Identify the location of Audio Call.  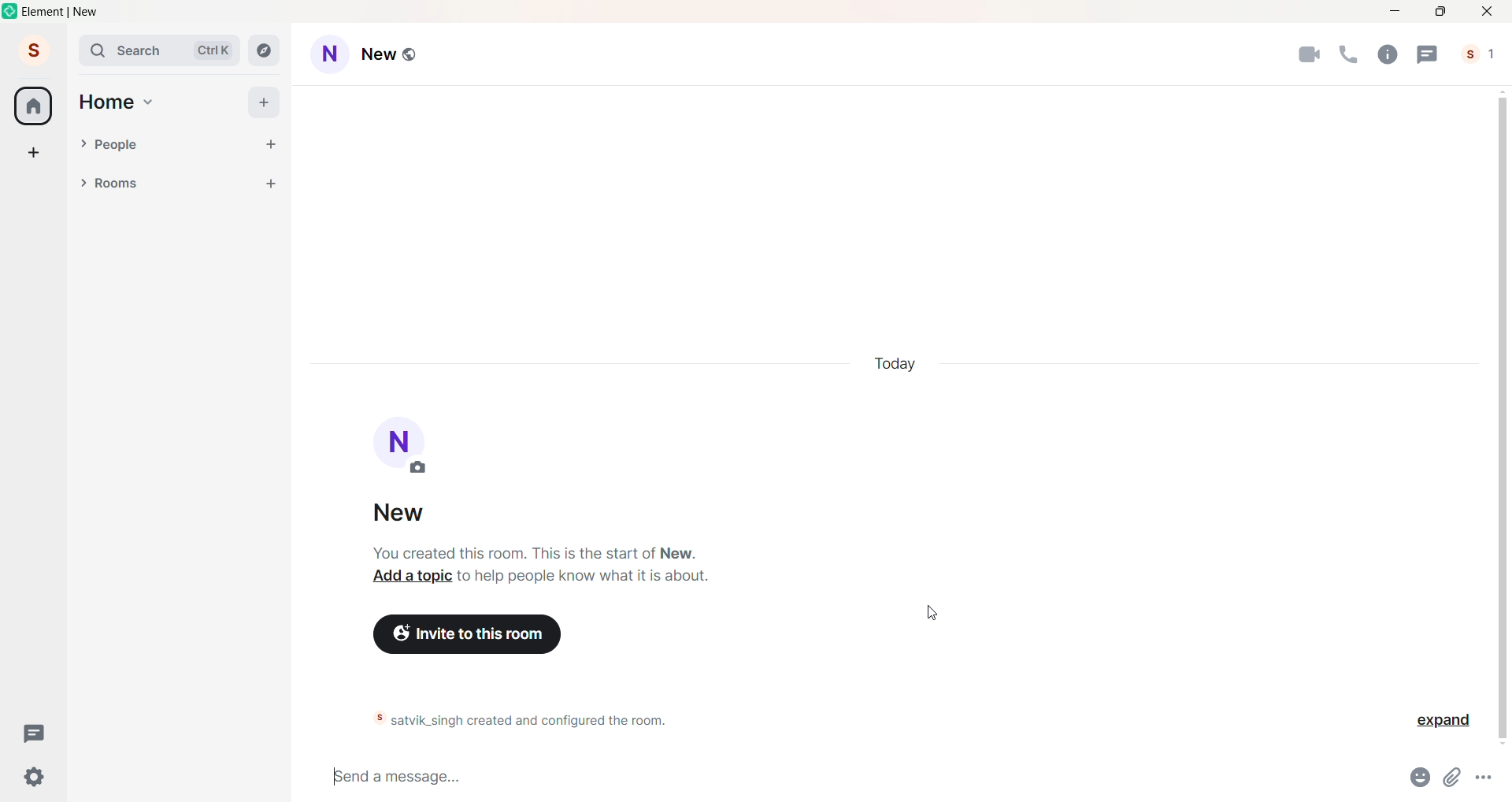
(1350, 54).